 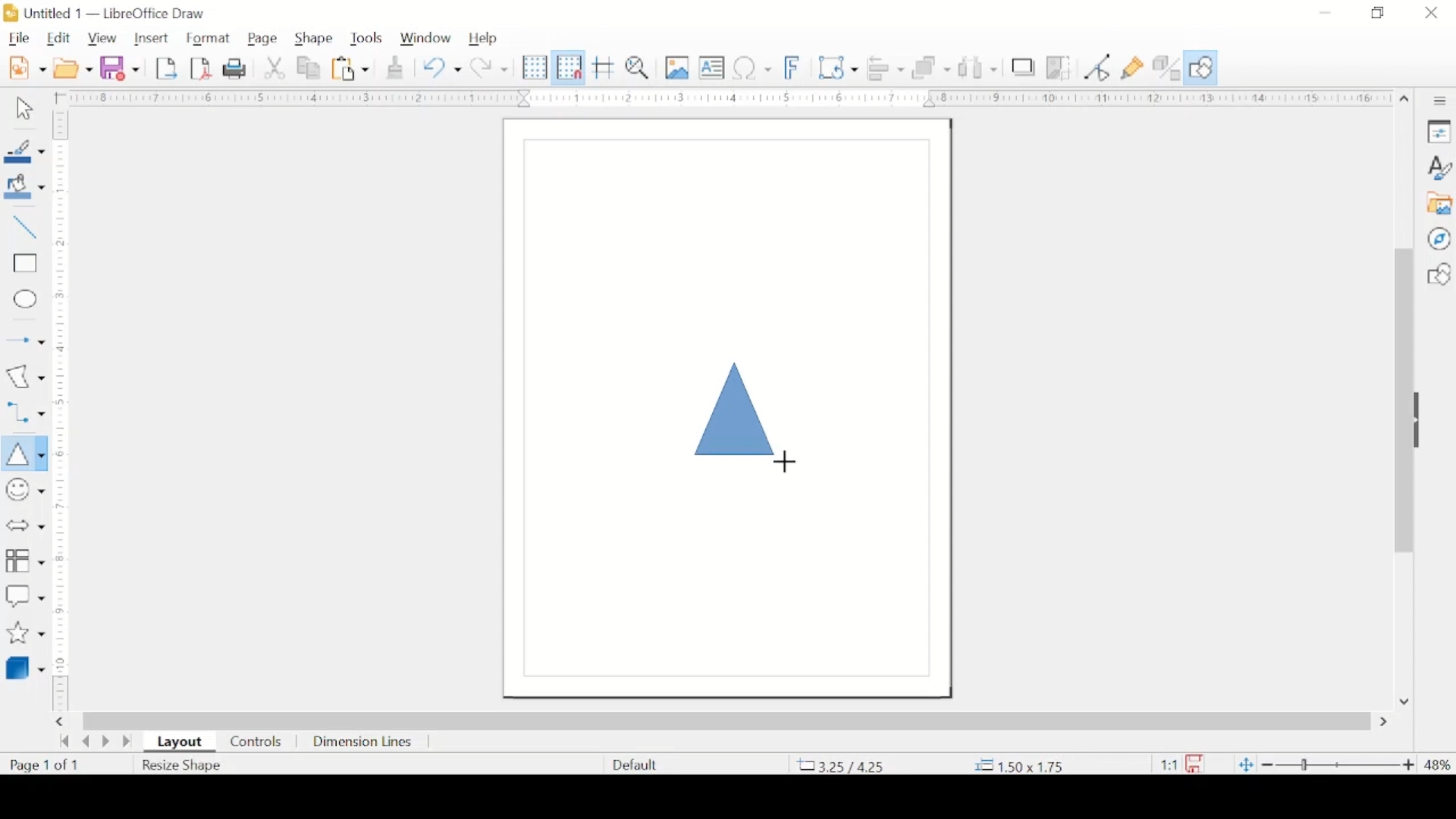 What do you see at coordinates (711, 67) in the screenshot?
I see `insert textbox` at bounding box center [711, 67].